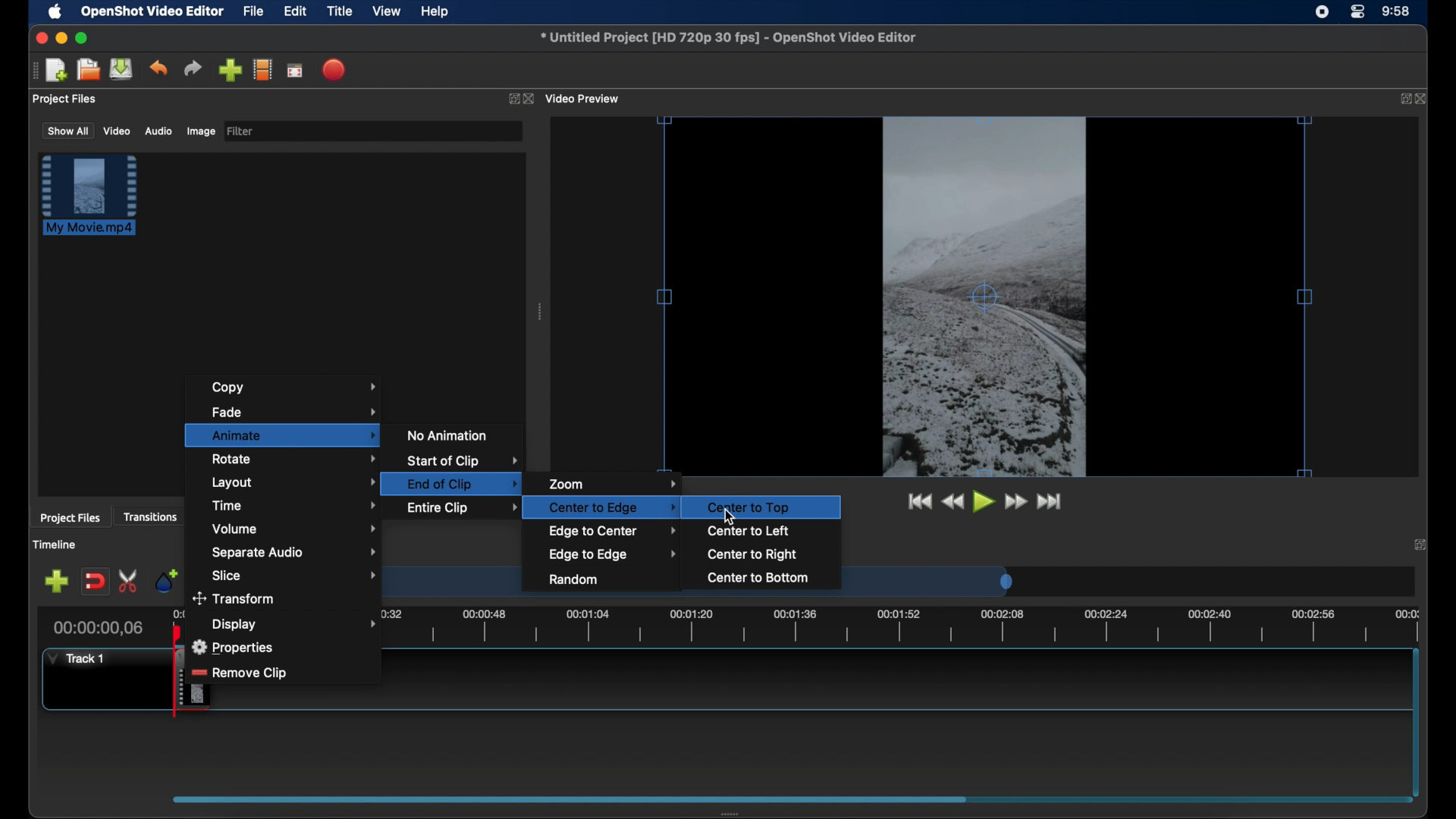 Image resolution: width=1456 pixels, height=819 pixels. What do you see at coordinates (295, 458) in the screenshot?
I see `rotate menu` at bounding box center [295, 458].